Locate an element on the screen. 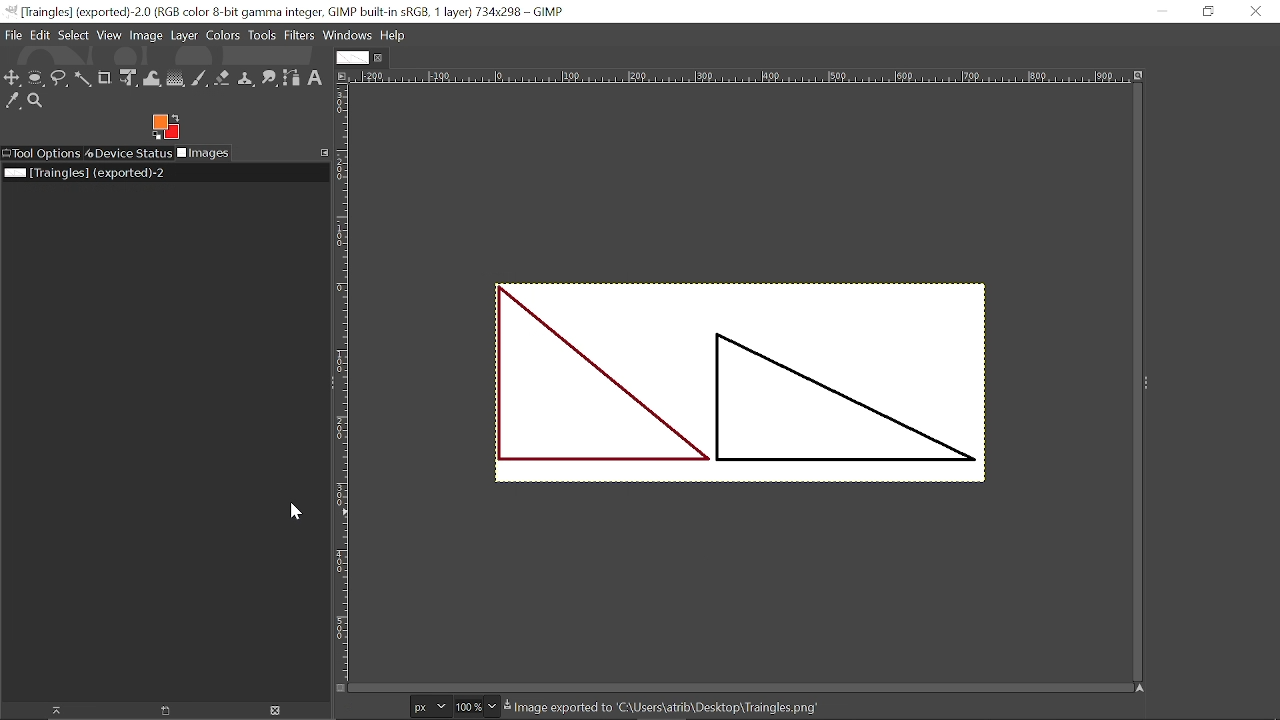 This screenshot has width=1280, height=720. Windows is located at coordinates (348, 37).